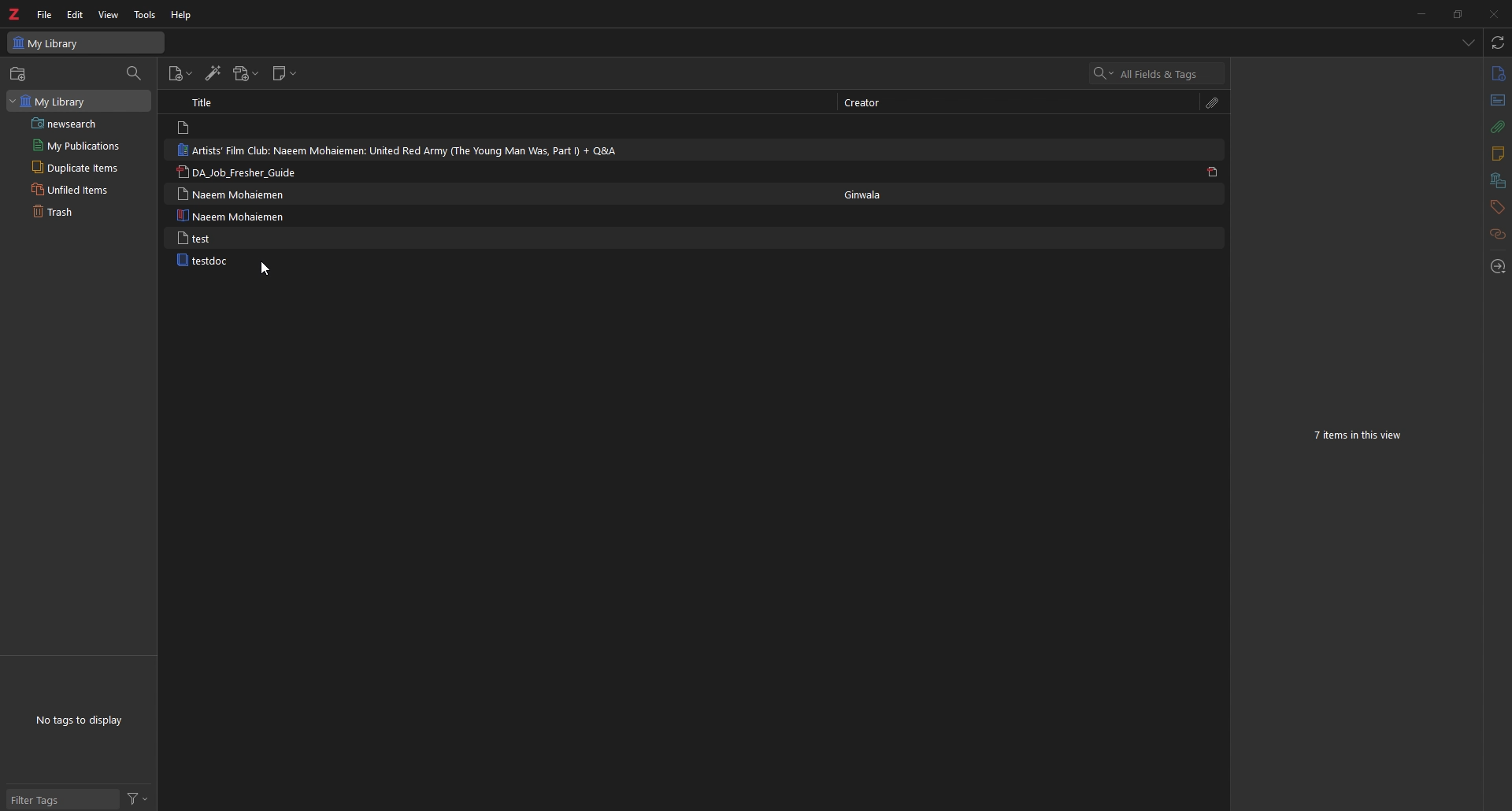  Describe the element at coordinates (209, 102) in the screenshot. I see `Title` at that location.